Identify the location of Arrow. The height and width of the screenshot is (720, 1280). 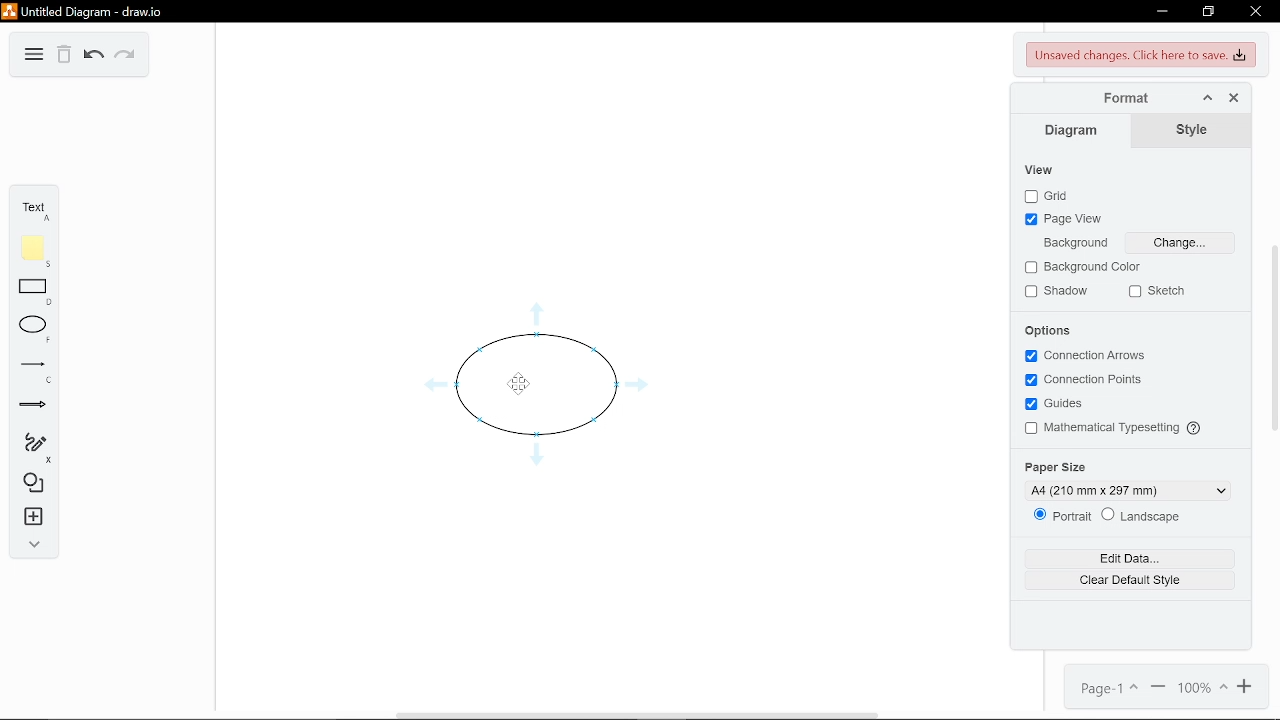
(33, 402).